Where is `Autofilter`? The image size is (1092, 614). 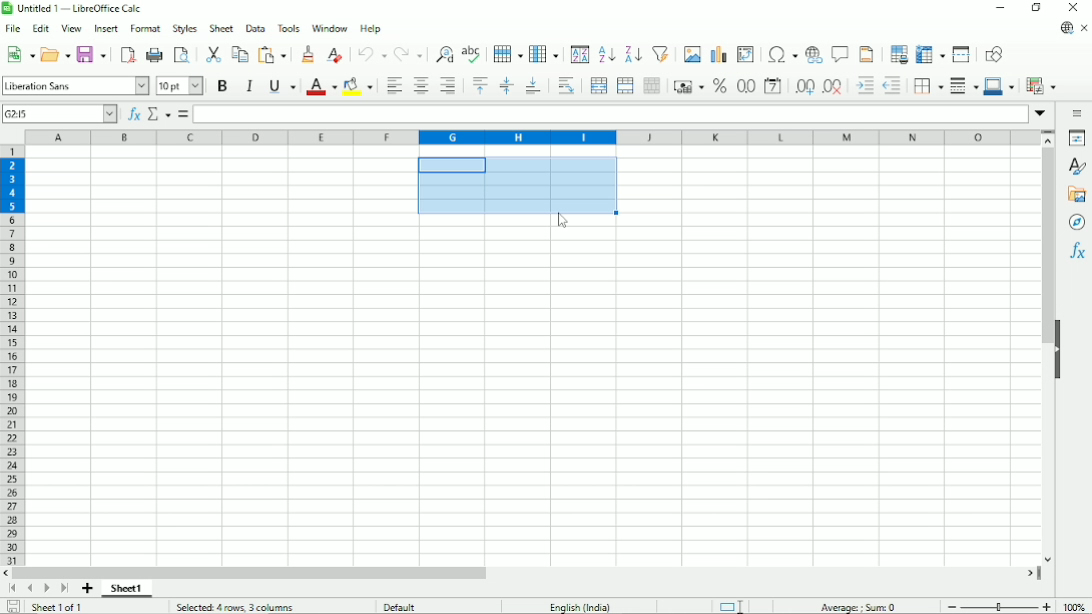
Autofilter is located at coordinates (660, 53).